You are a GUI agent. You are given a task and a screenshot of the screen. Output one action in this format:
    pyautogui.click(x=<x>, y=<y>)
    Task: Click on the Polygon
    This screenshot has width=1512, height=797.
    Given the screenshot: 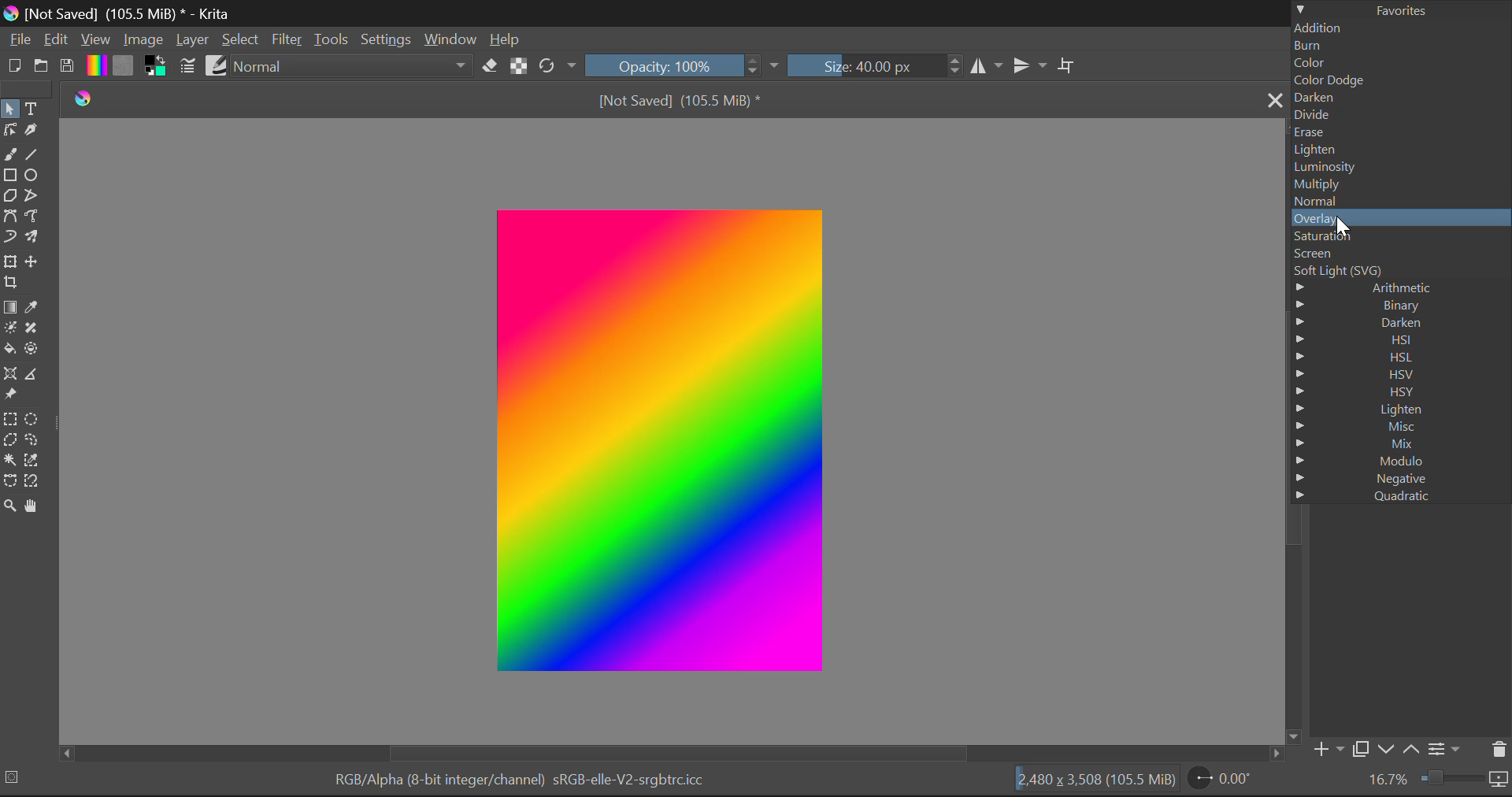 What is the action you would take?
    pyautogui.click(x=11, y=196)
    